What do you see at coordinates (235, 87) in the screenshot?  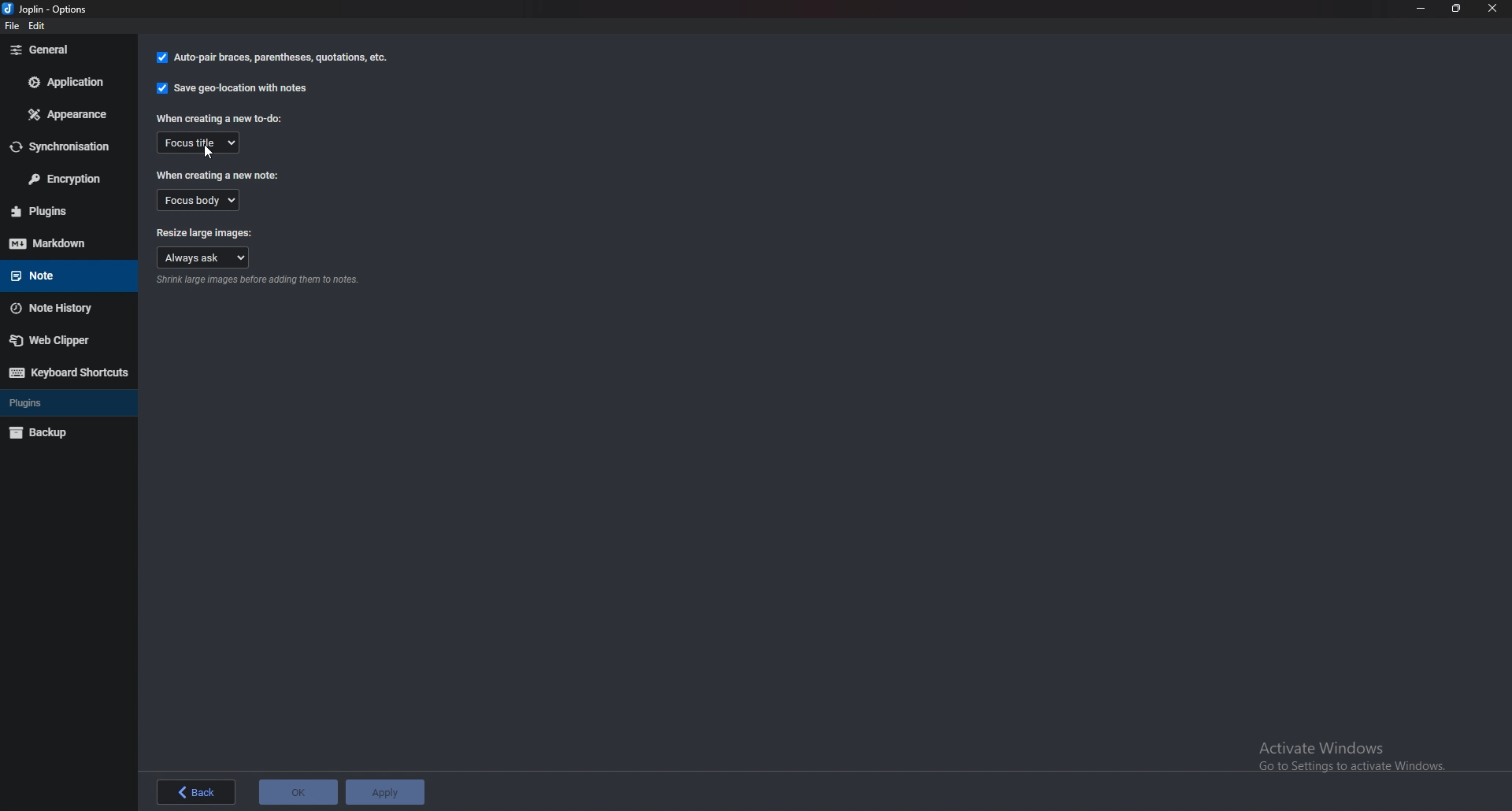 I see `Save Geolocation` at bounding box center [235, 87].